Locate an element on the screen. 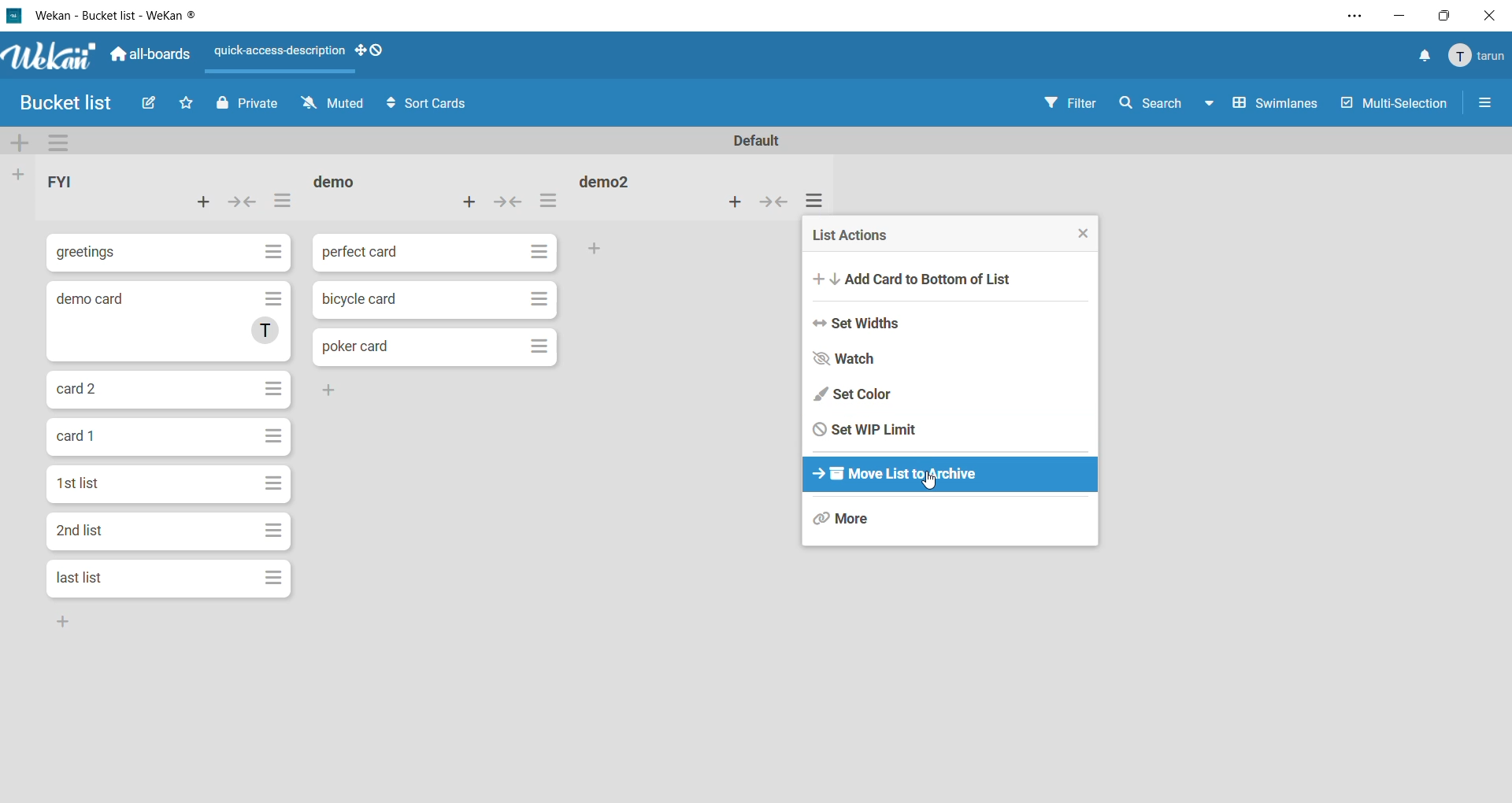 The image size is (1512, 803). add card to bottom is located at coordinates (925, 279).